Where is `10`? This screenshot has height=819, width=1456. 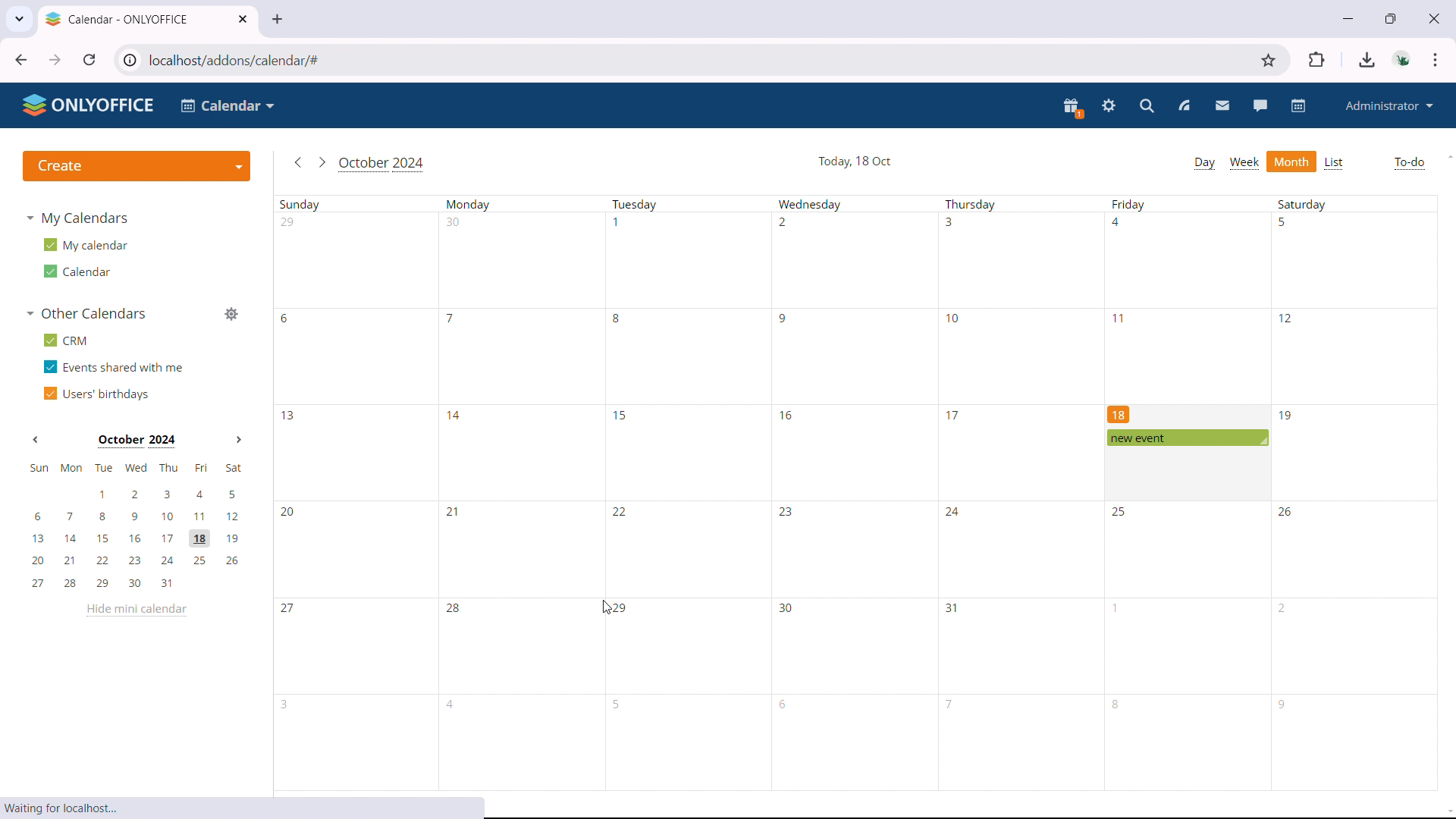
10 is located at coordinates (955, 318).